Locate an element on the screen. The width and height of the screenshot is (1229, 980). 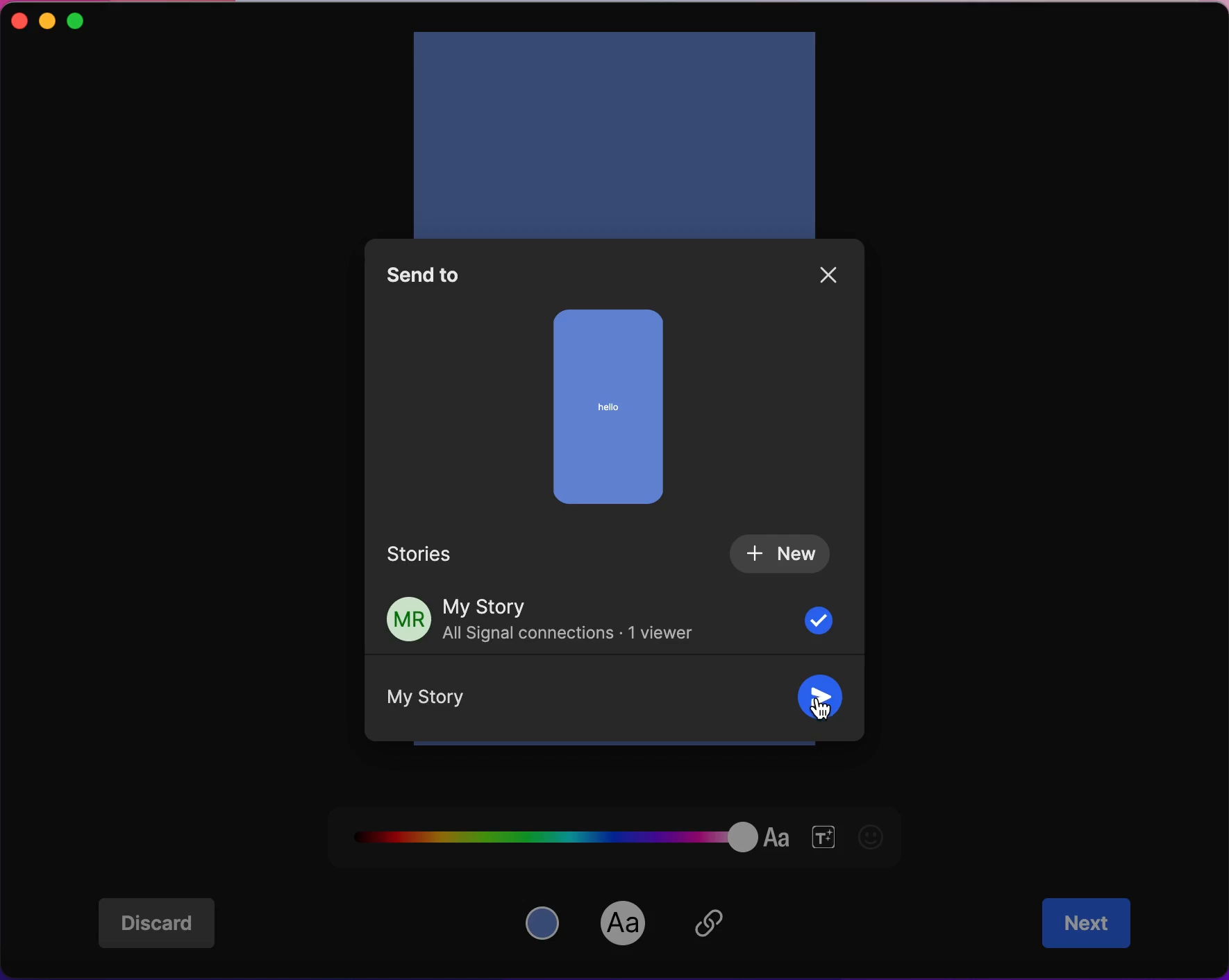
font color palette is located at coordinates (568, 828).